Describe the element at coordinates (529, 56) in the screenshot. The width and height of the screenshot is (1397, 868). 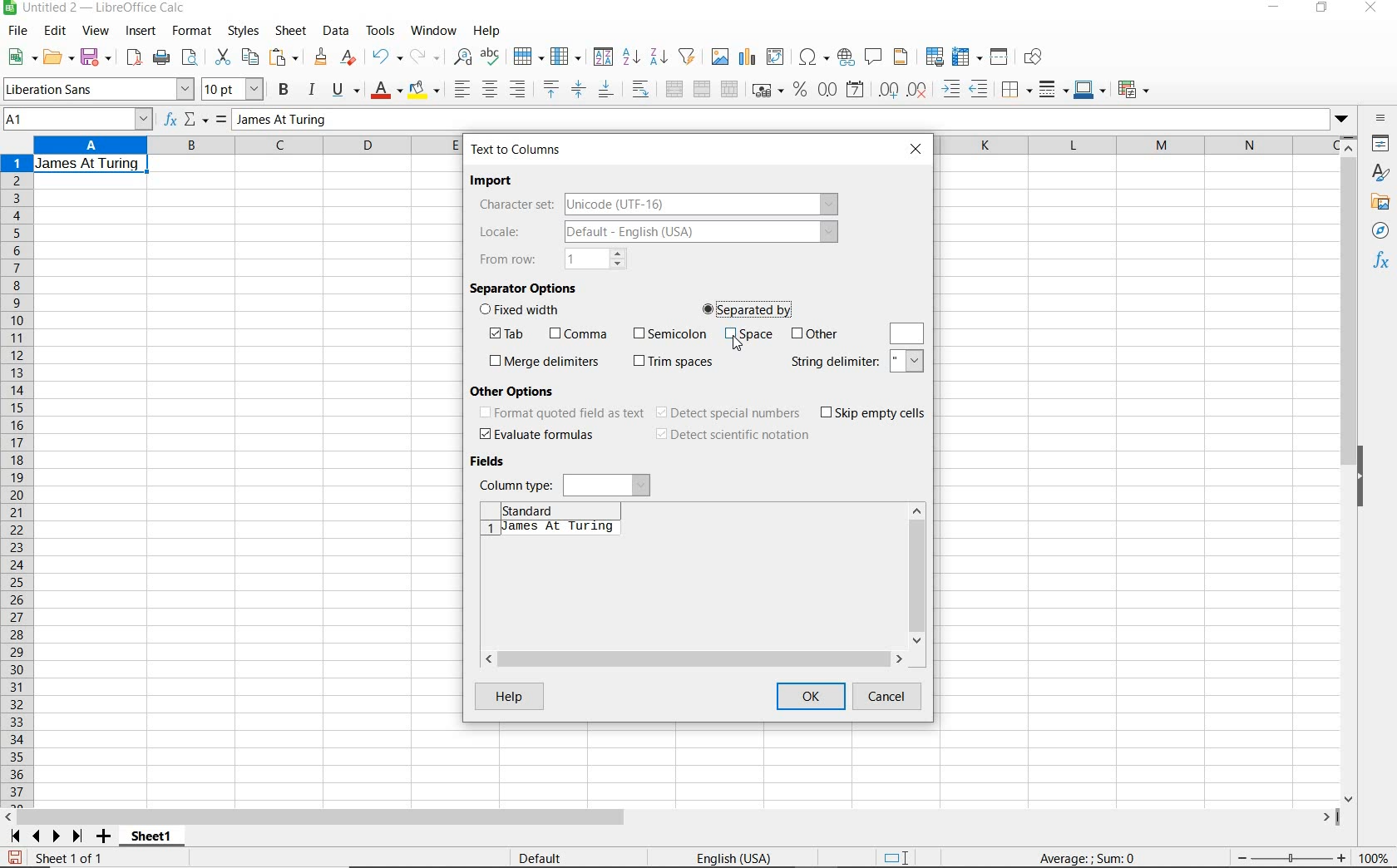
I see `row` at that location.